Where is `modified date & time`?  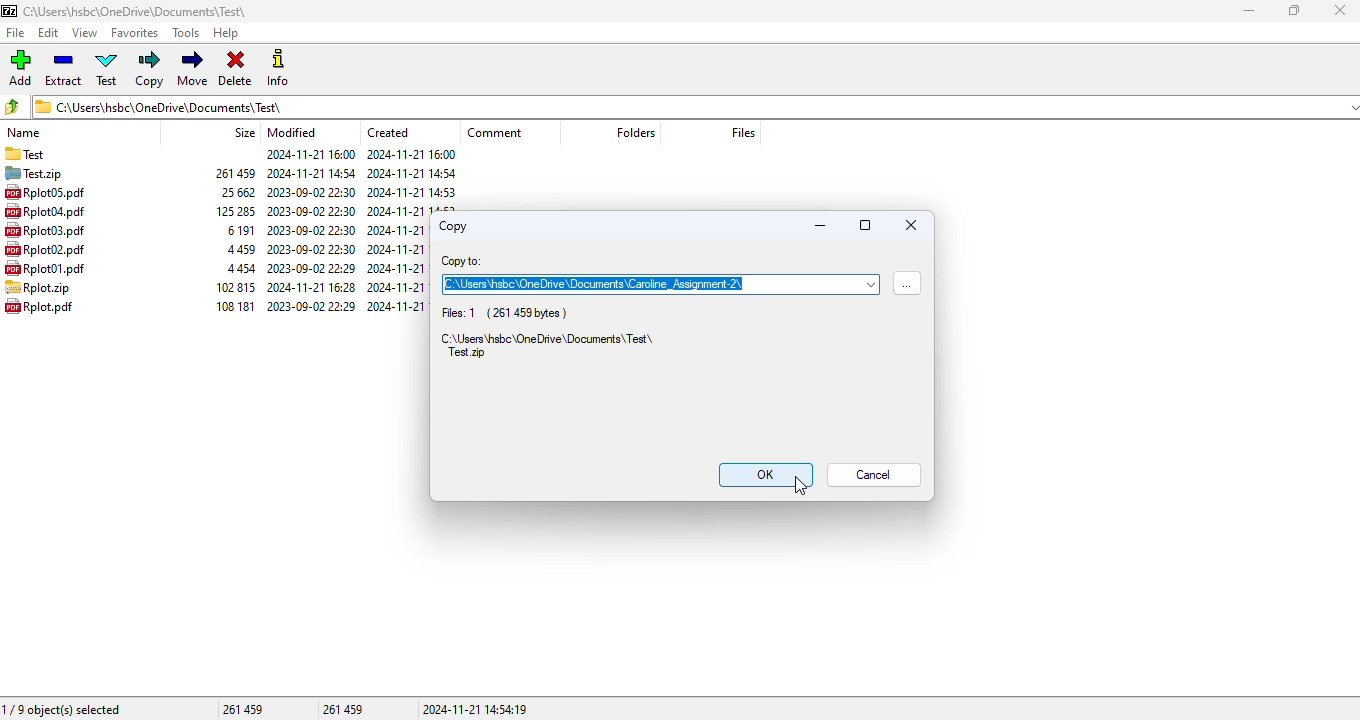
modified date & time is located at coordinates (310, 173).